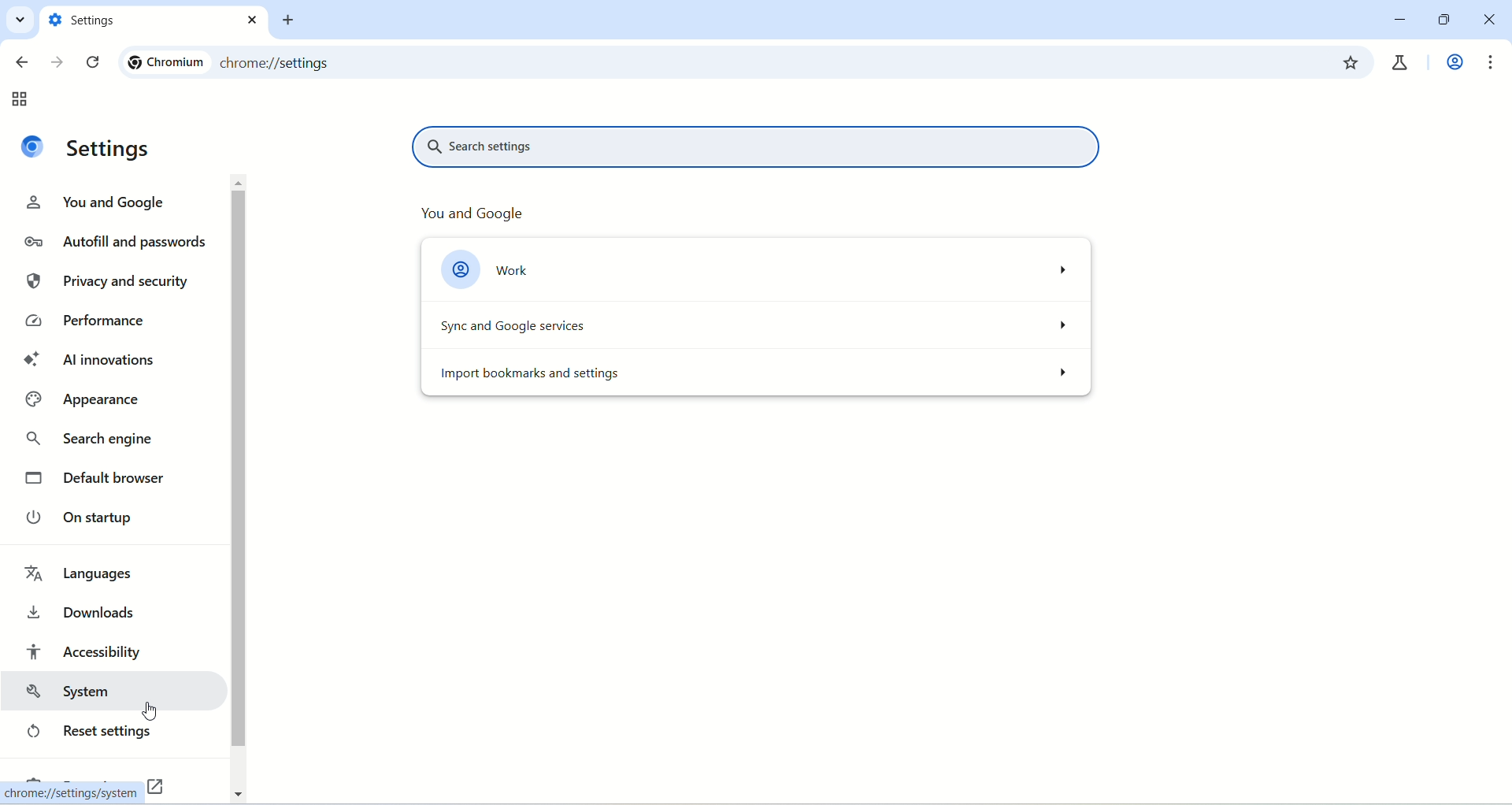 The width and height of the screenshot is (1512, 805). Describe the element at coordinates (106, 204) in the screenshot. I see `you and google` at that location.